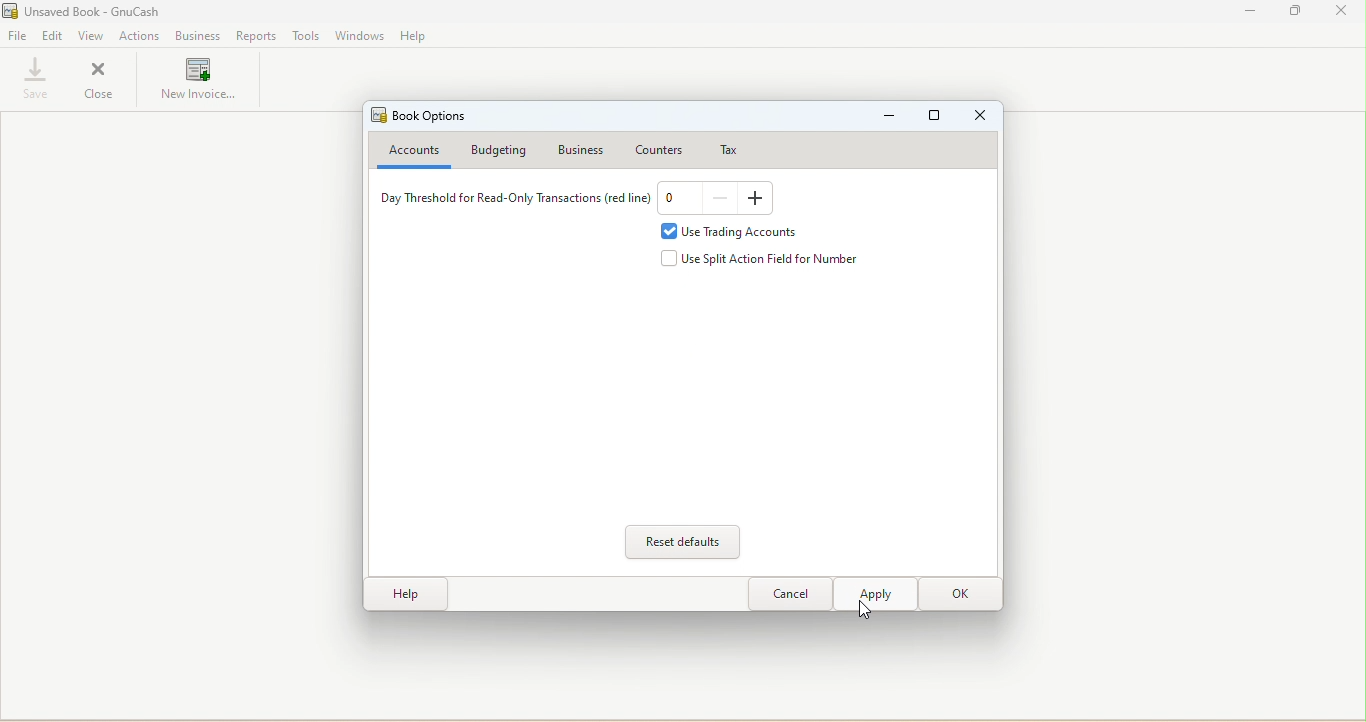 This screenshot has width=1366, height=722. I want to click on Tools, so click(304, 36).